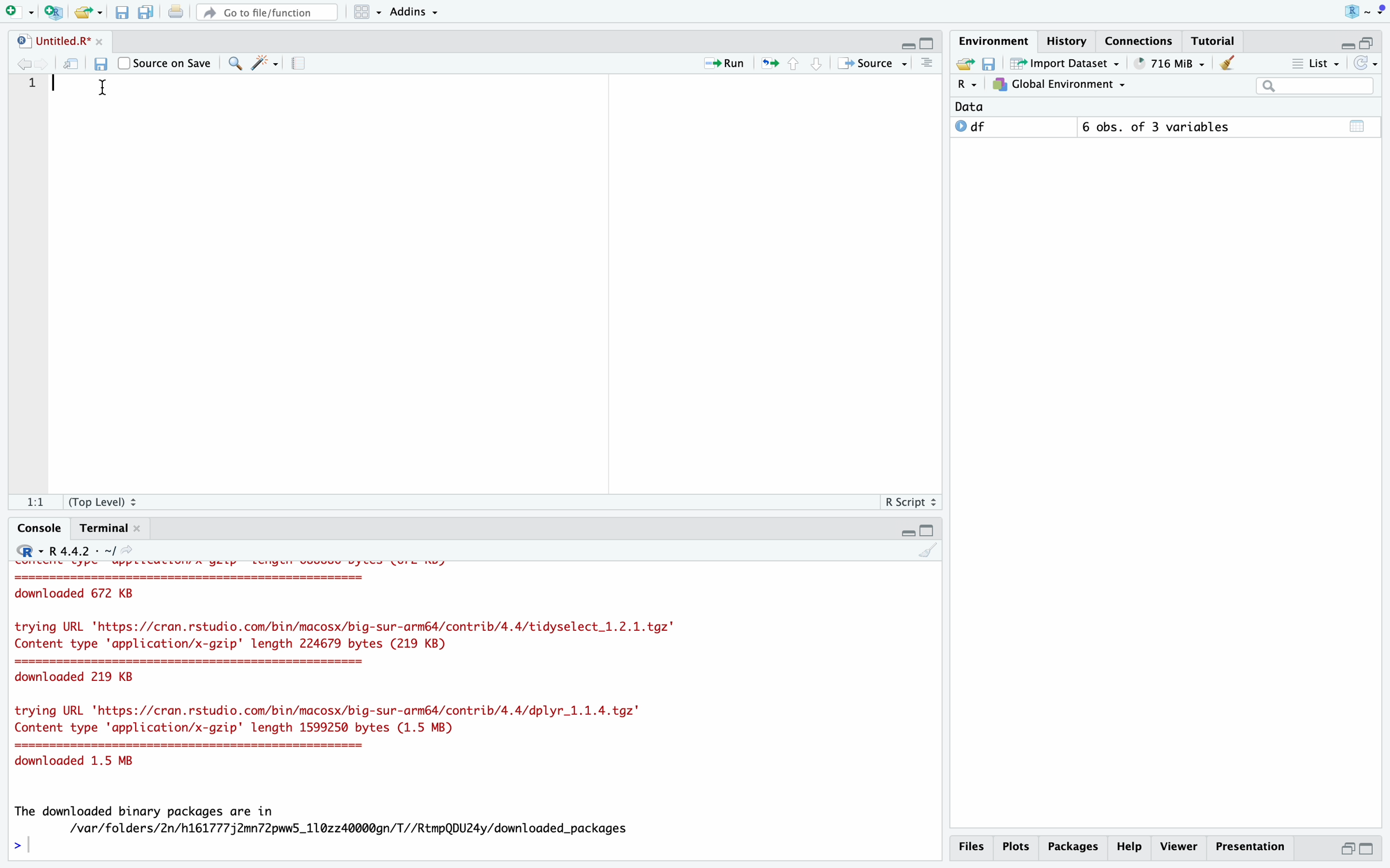  What do you see at coordinates (872, 63) in the screenshot?
I see `Source` at bounding box center [872, 63].